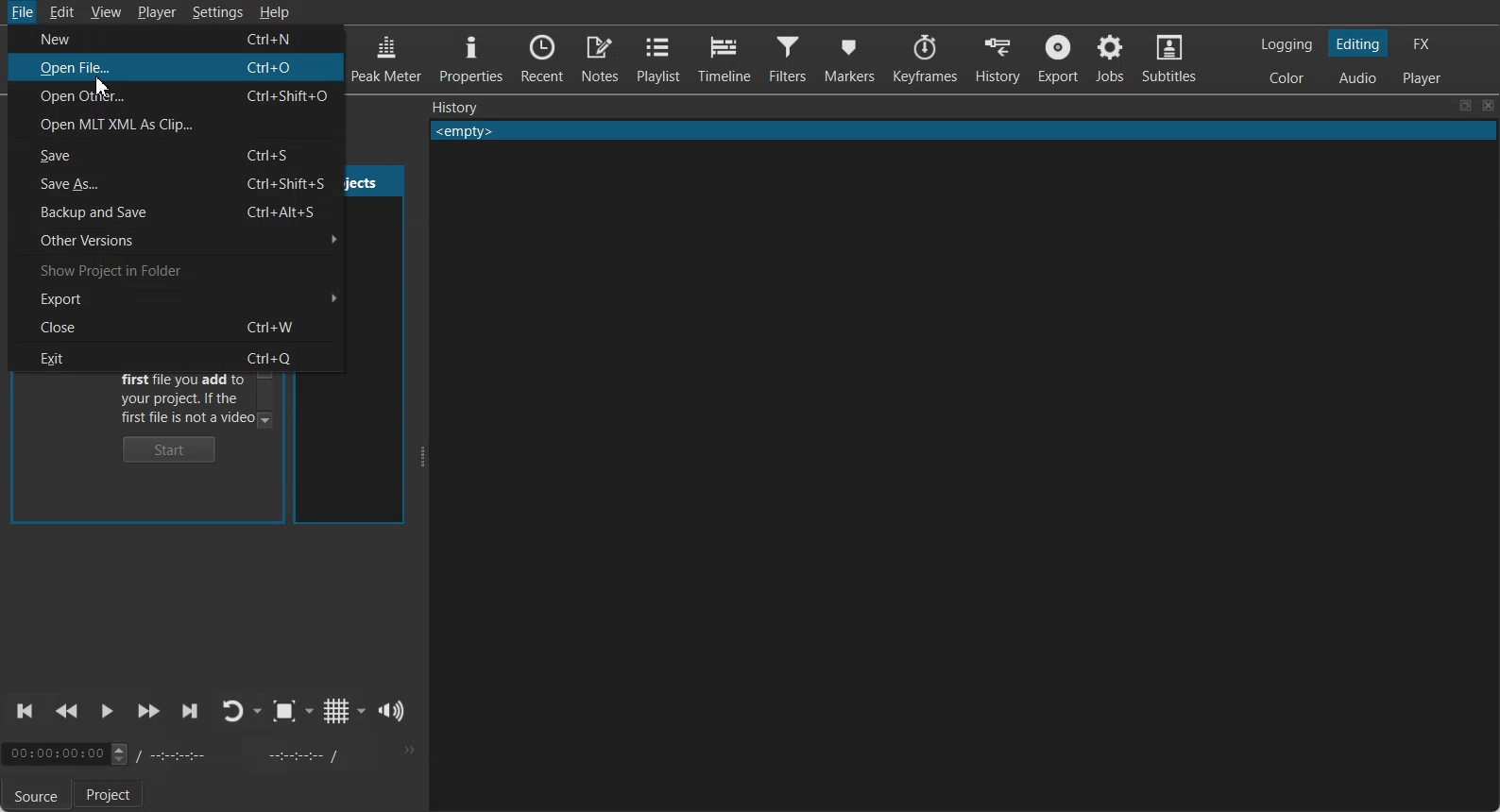 The height and width of the screenshot is (812, 1500). What do you see at coordinates (997, 59) in the screenshot?
I see `History` at bounding box center [997, 59].